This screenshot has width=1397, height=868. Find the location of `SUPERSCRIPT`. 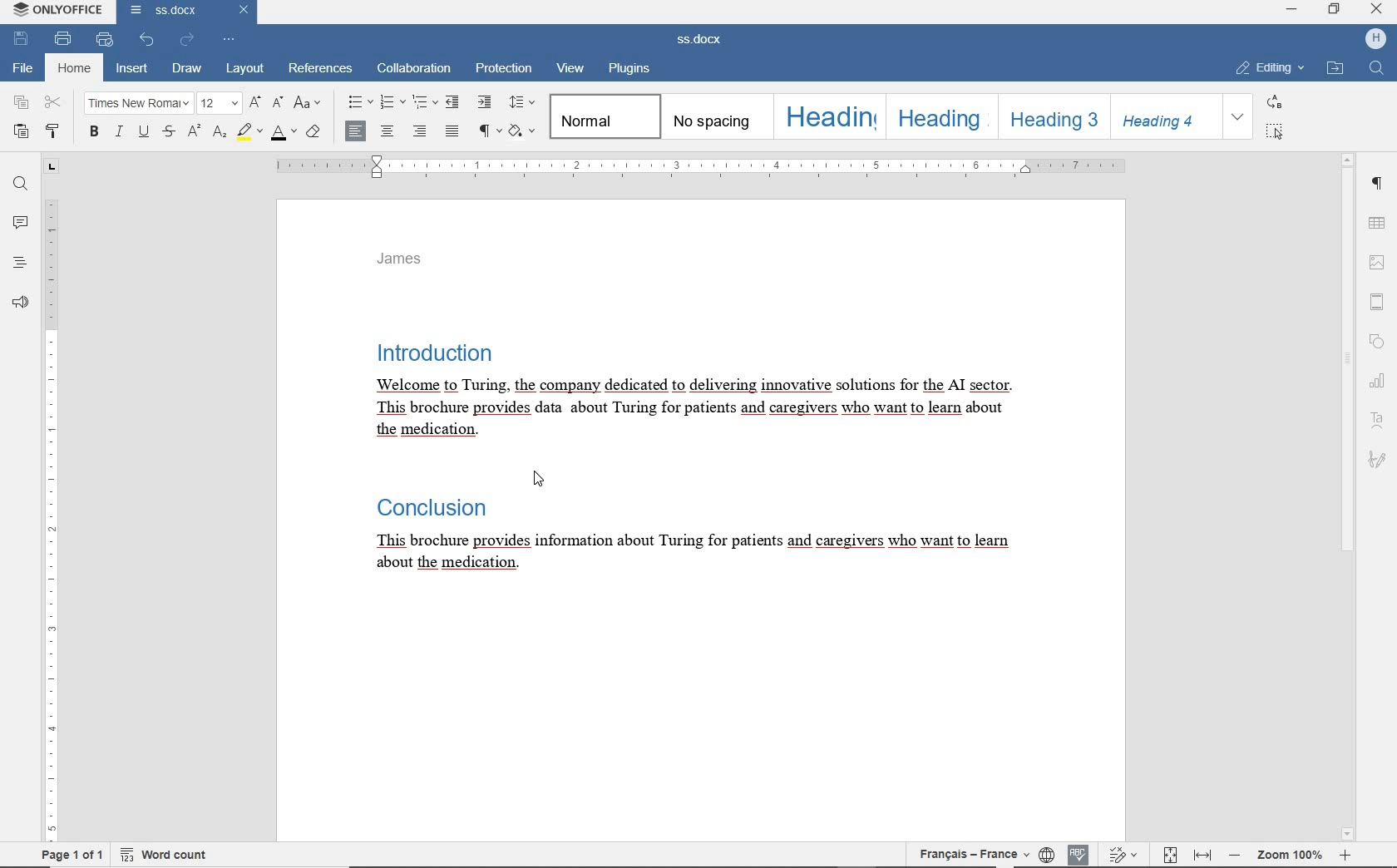

SUPERSCRIPT is located at coordinates (193, 133).